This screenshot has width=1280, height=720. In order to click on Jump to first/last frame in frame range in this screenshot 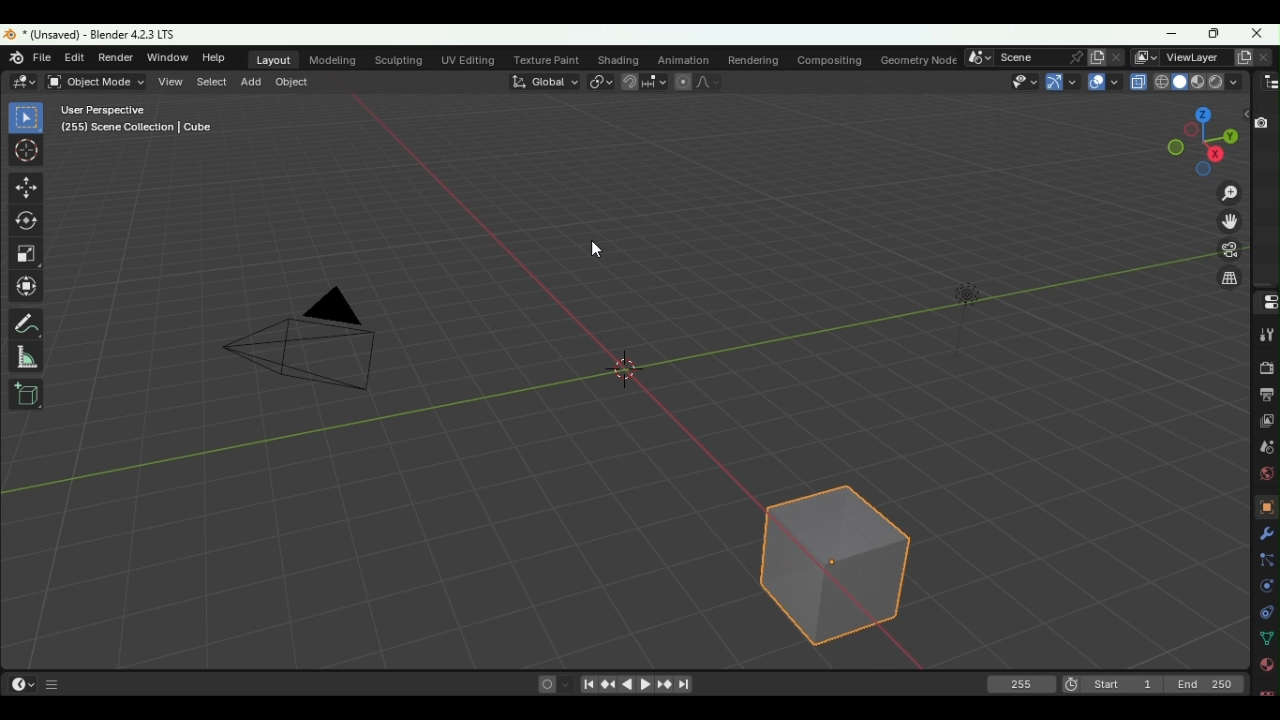, I will do `click(589, 685)`.